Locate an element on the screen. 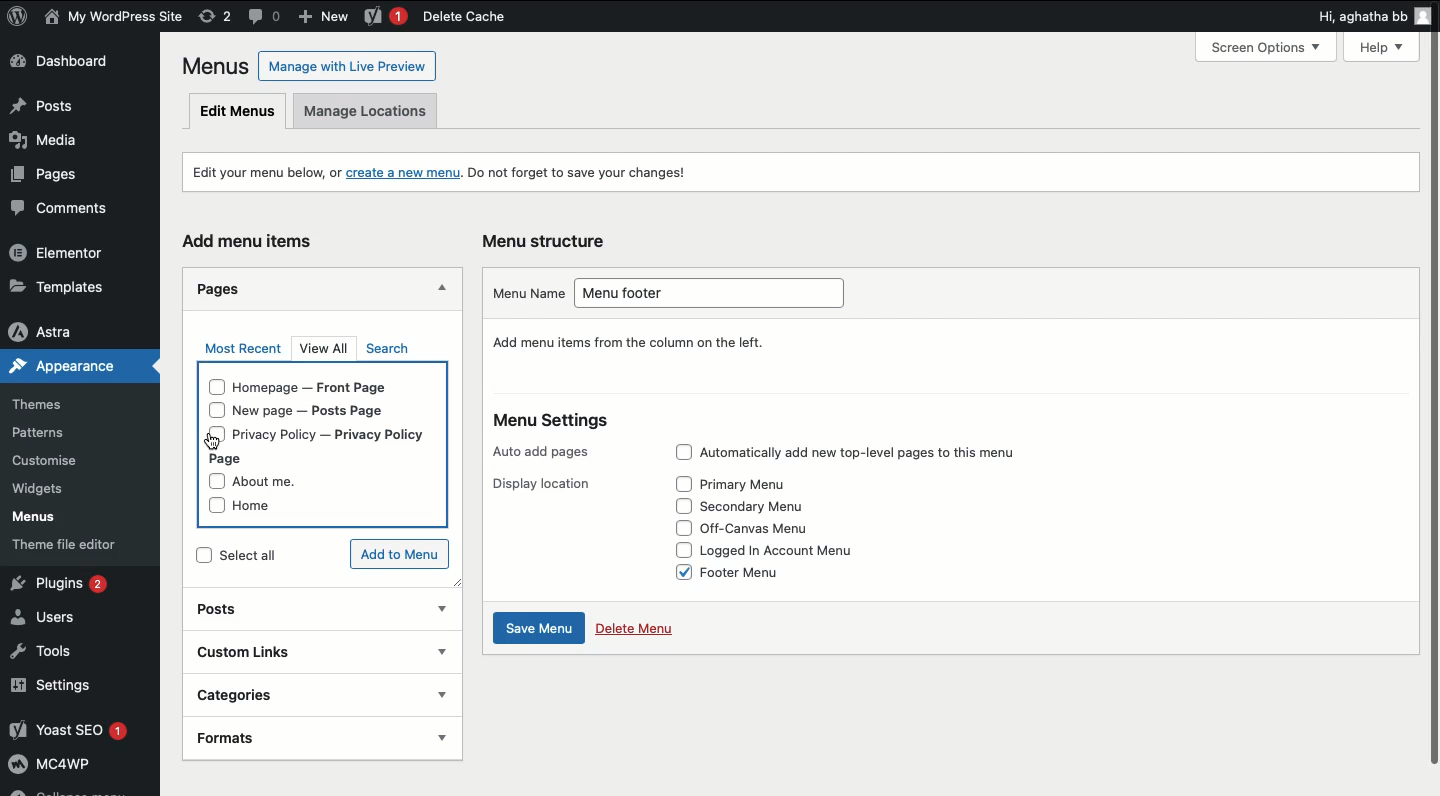  Formats is located at coordinates (287, 738).